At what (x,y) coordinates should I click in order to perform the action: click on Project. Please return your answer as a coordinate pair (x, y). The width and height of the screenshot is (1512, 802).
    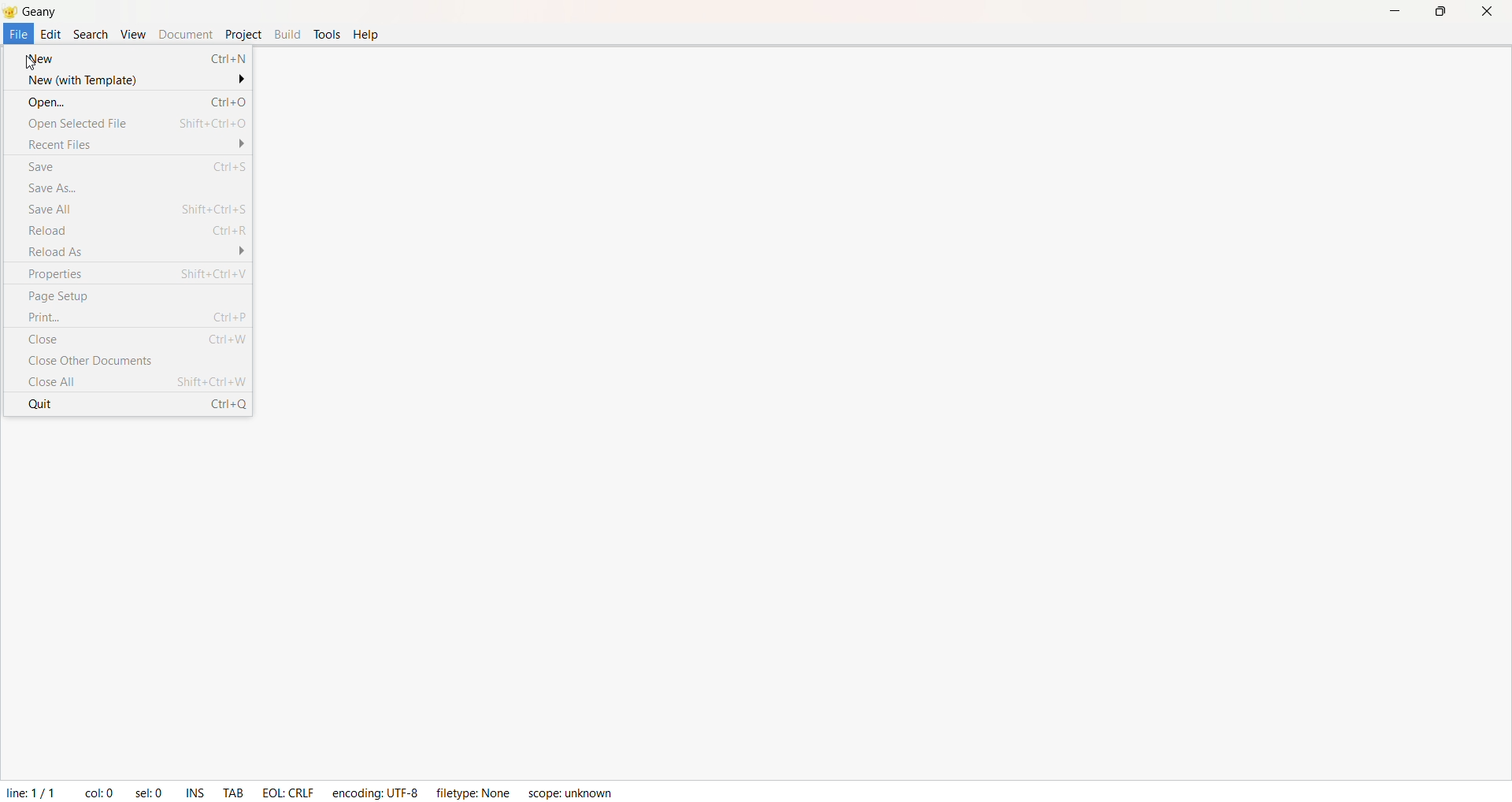
    Looking at the image, I should click on (243, 34).